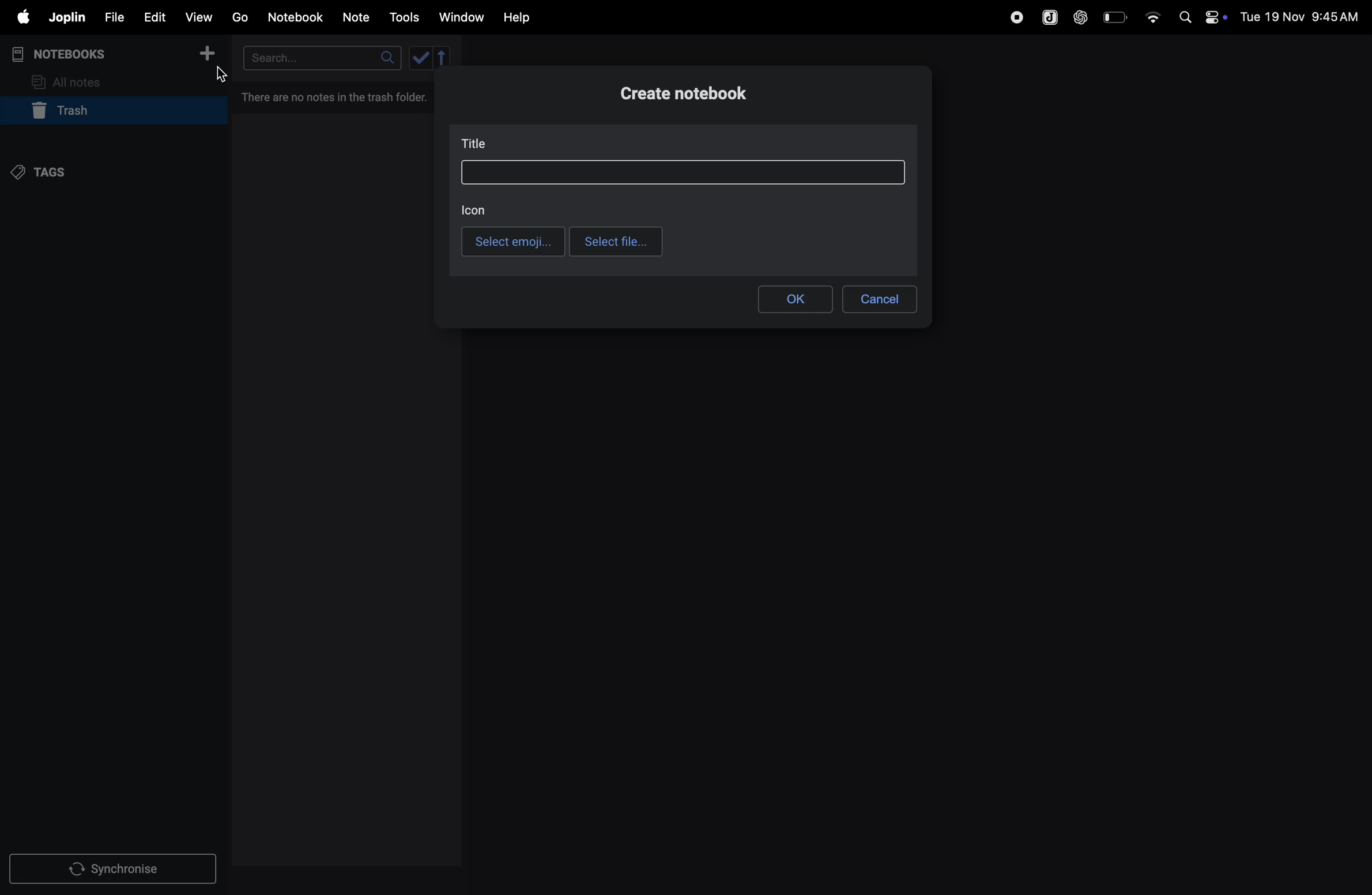 This screenshot has width=1372, height=895. I want to click on add, so click(208, 57).